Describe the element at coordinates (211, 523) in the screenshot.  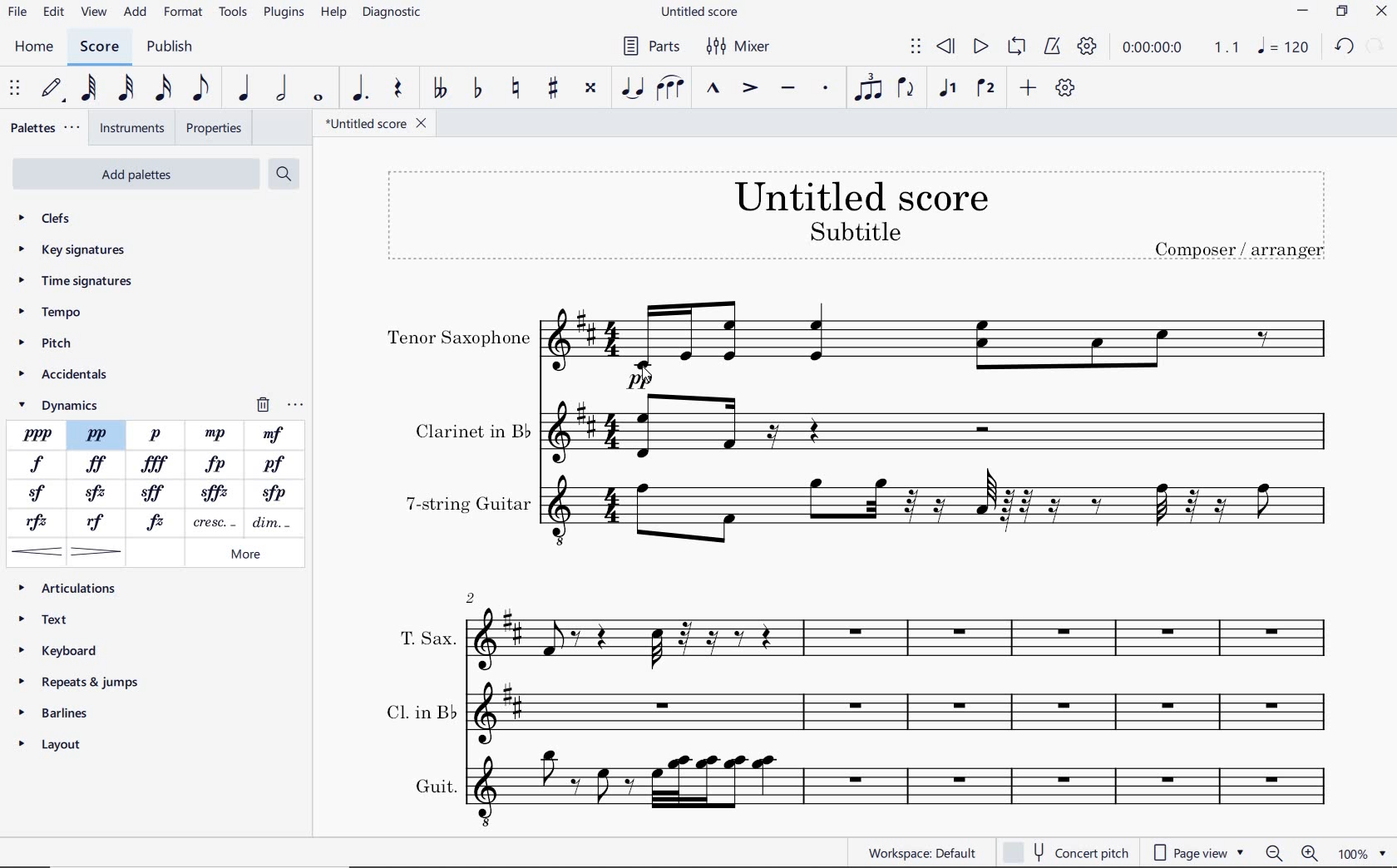
I see `CRESCENDO LINE` at that location.